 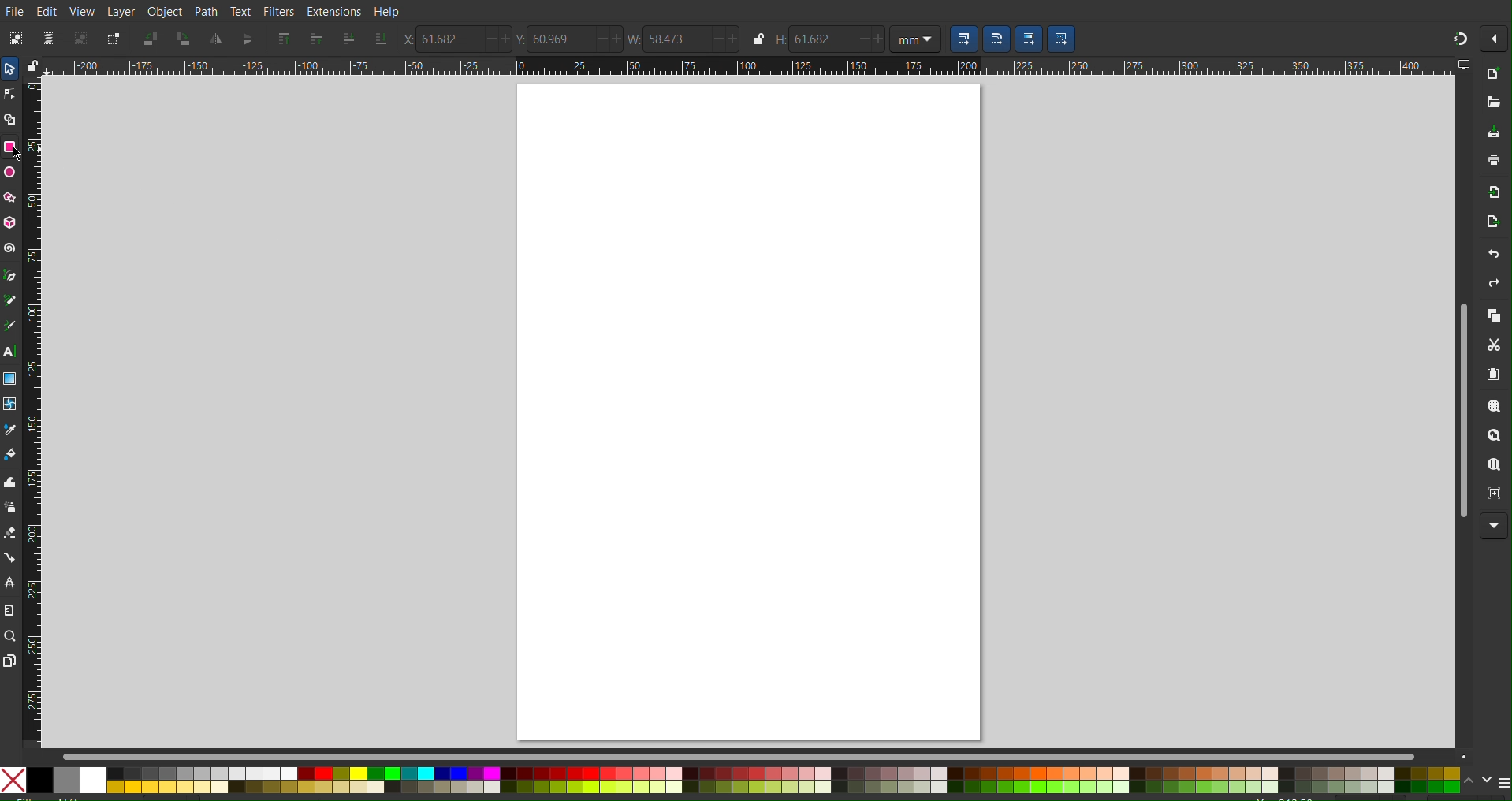 I want to click on Text, so click(x=240, y=12).